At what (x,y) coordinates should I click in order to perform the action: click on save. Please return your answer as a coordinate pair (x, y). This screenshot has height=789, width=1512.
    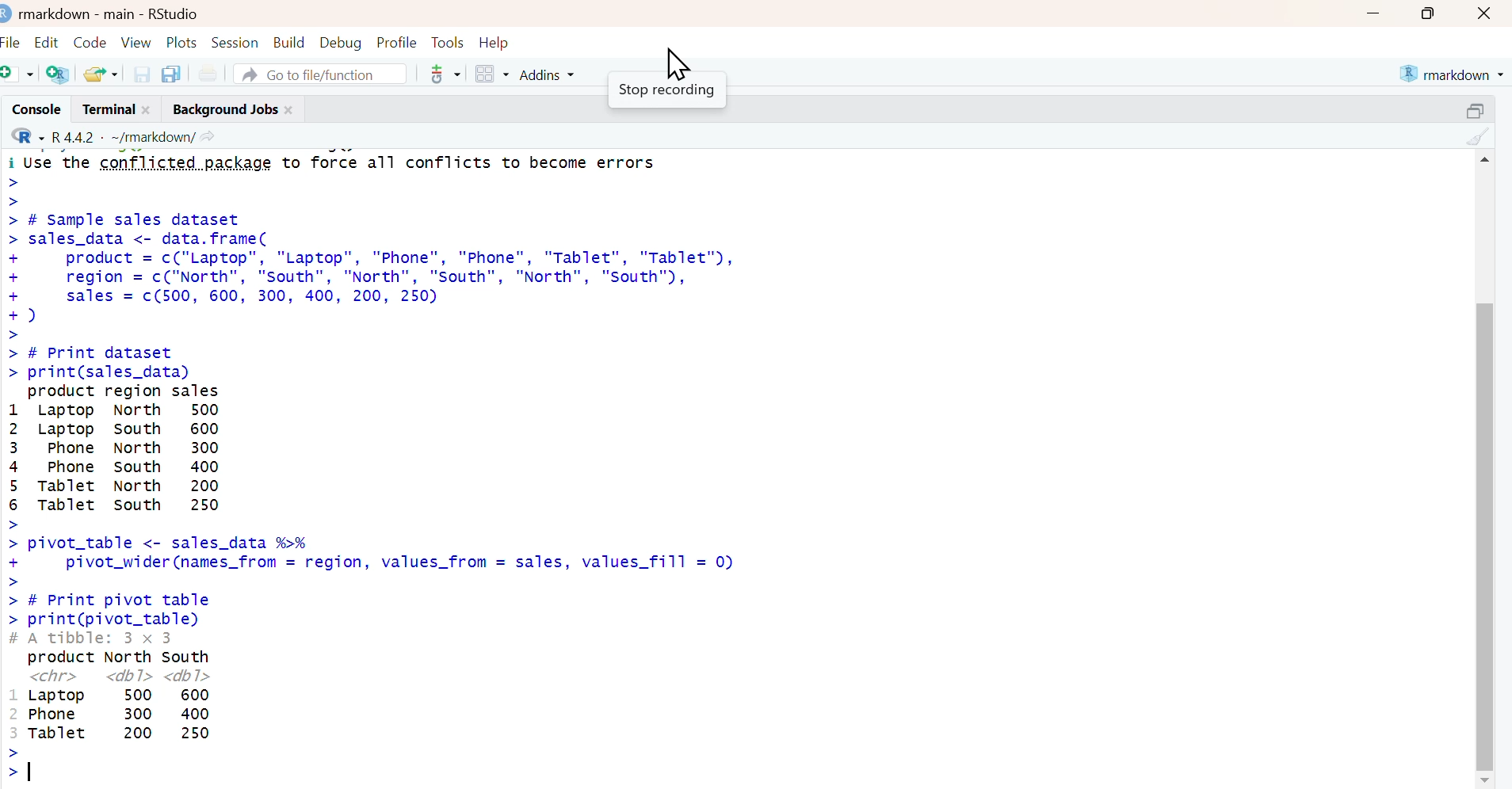
    Looking at the image, I should click on (143, 73).